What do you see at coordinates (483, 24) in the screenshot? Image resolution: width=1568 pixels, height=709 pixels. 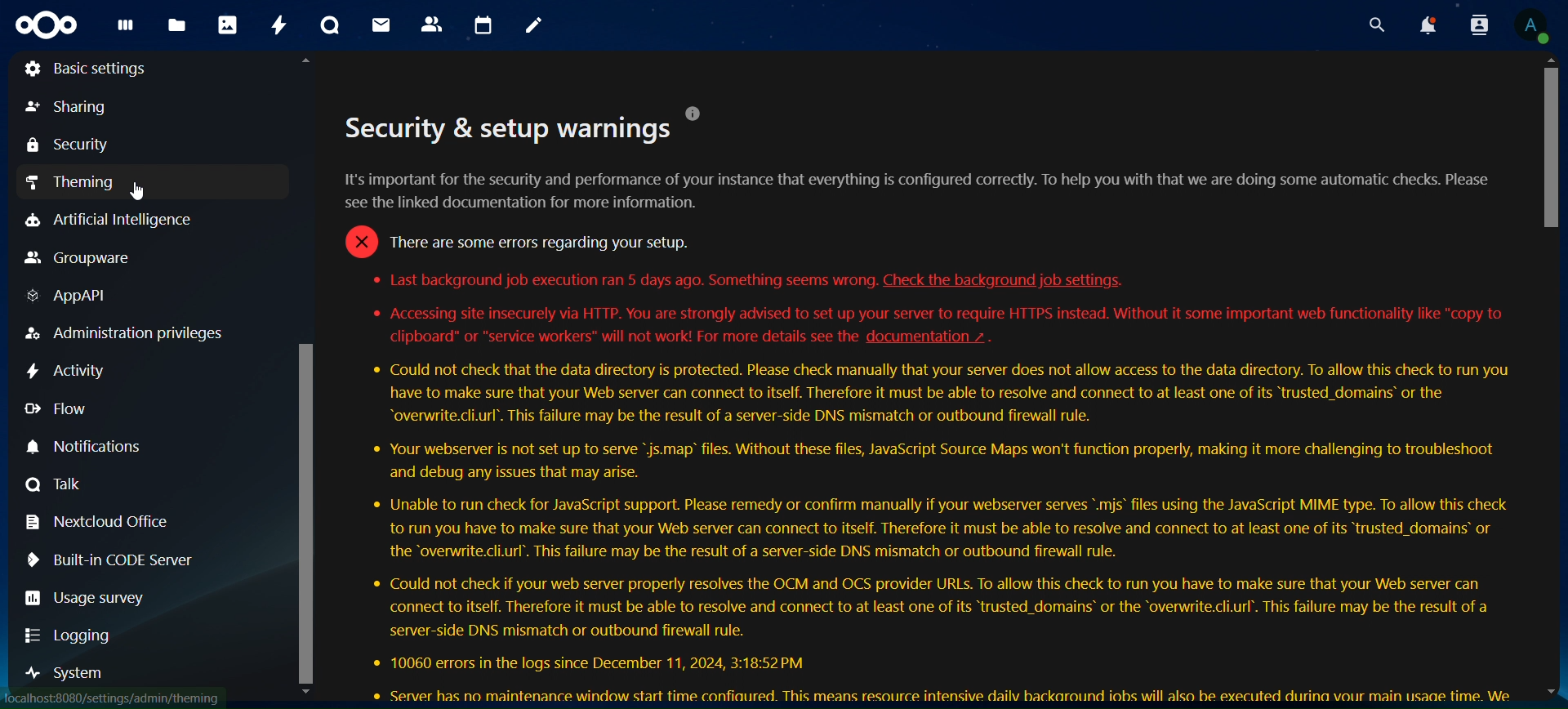 I see `calendar` at bounding box center [483, 24].